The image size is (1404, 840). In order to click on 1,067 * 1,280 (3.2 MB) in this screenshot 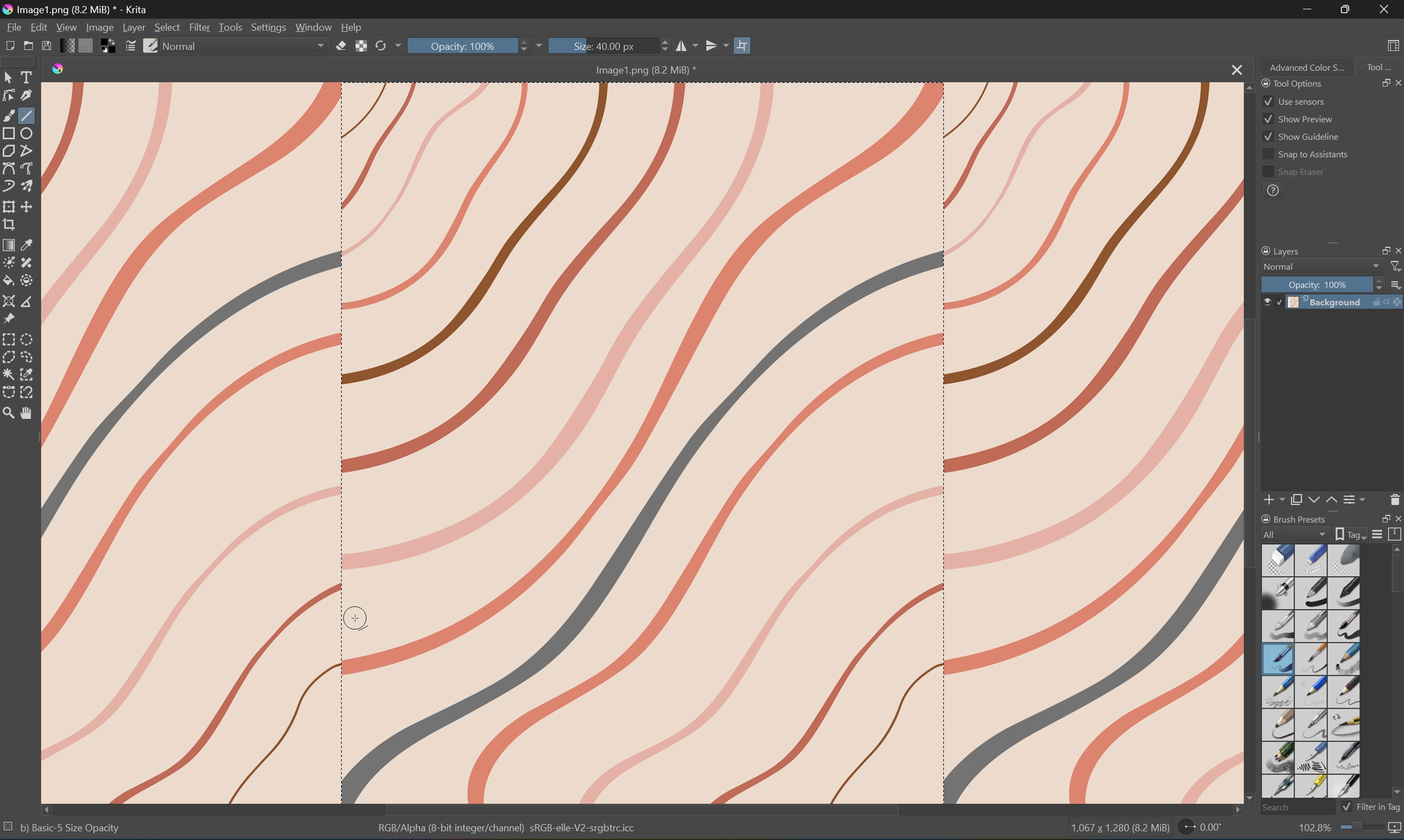, I will do `click(1118, 829)`.